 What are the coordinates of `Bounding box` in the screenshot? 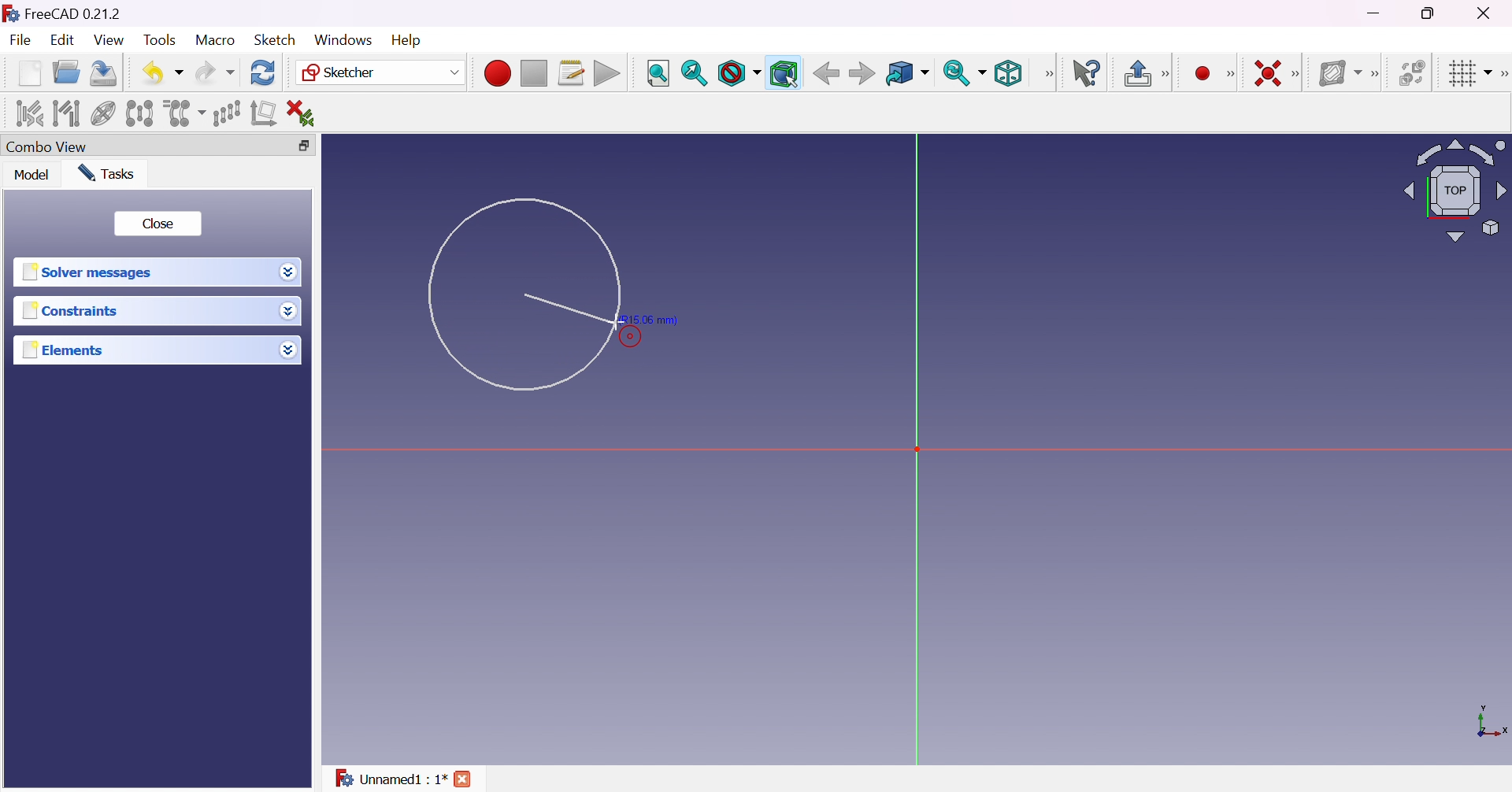 It's located at (785, 74).